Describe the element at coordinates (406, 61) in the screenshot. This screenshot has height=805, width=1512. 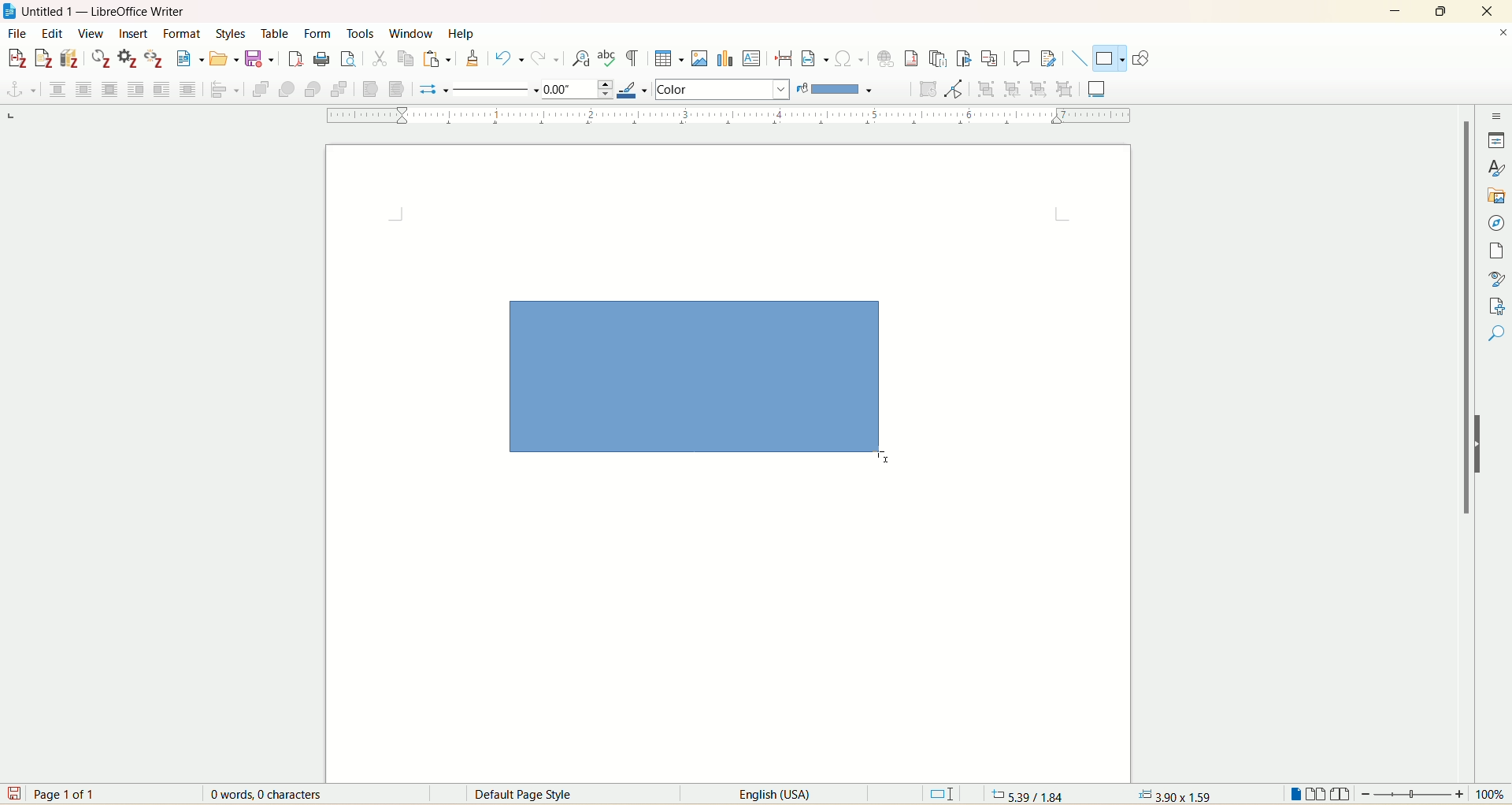
I see `copy` at that location.